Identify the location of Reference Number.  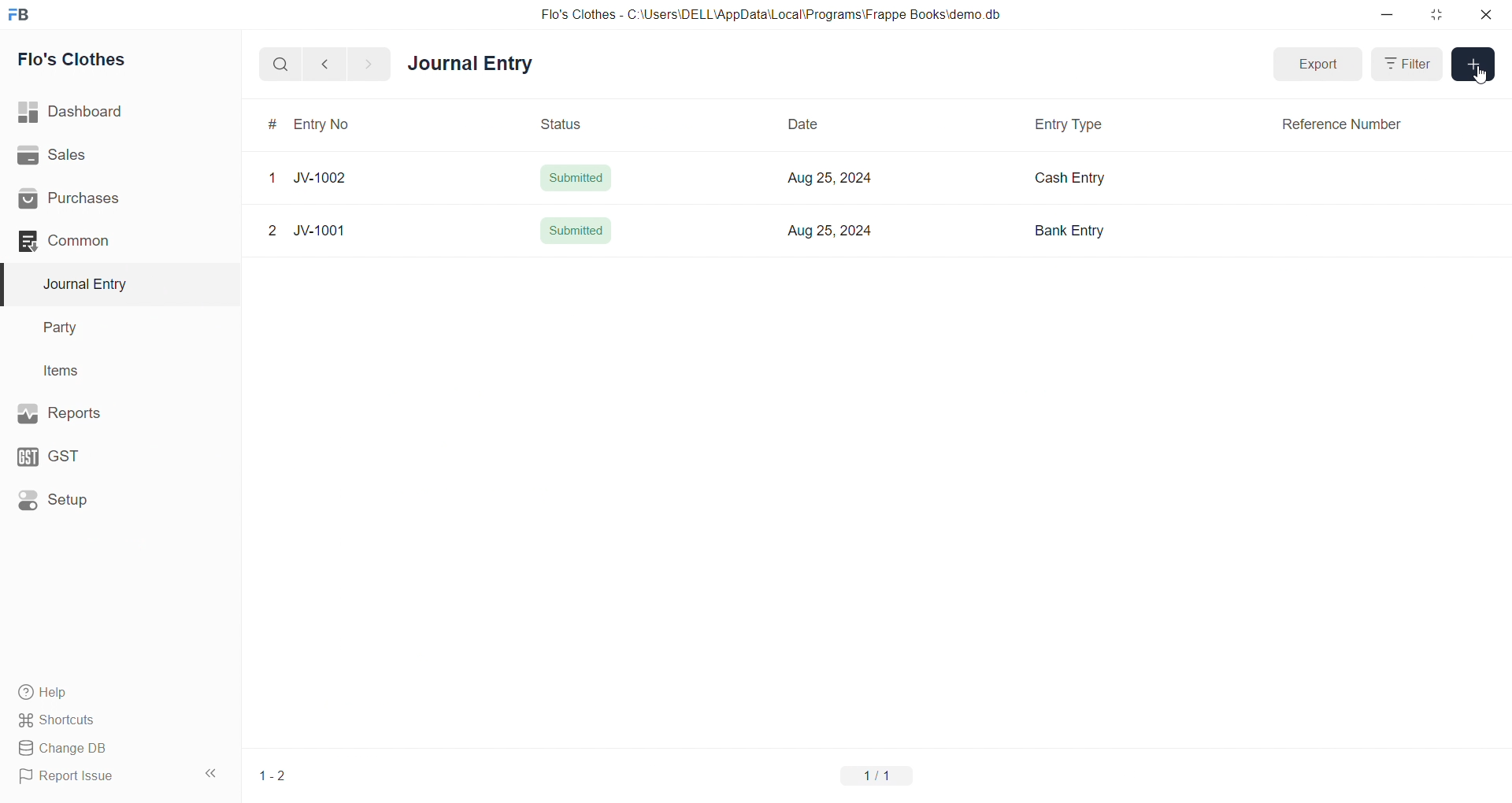
(1343, 124).